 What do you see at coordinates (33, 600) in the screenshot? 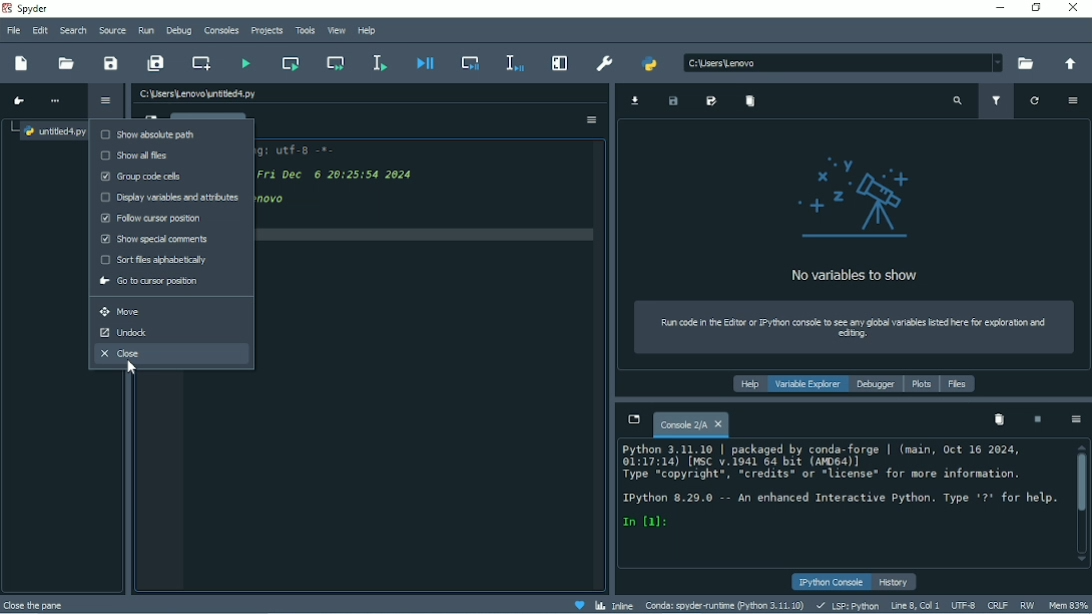
I see `close the pore` at bounding box center [33, 600].